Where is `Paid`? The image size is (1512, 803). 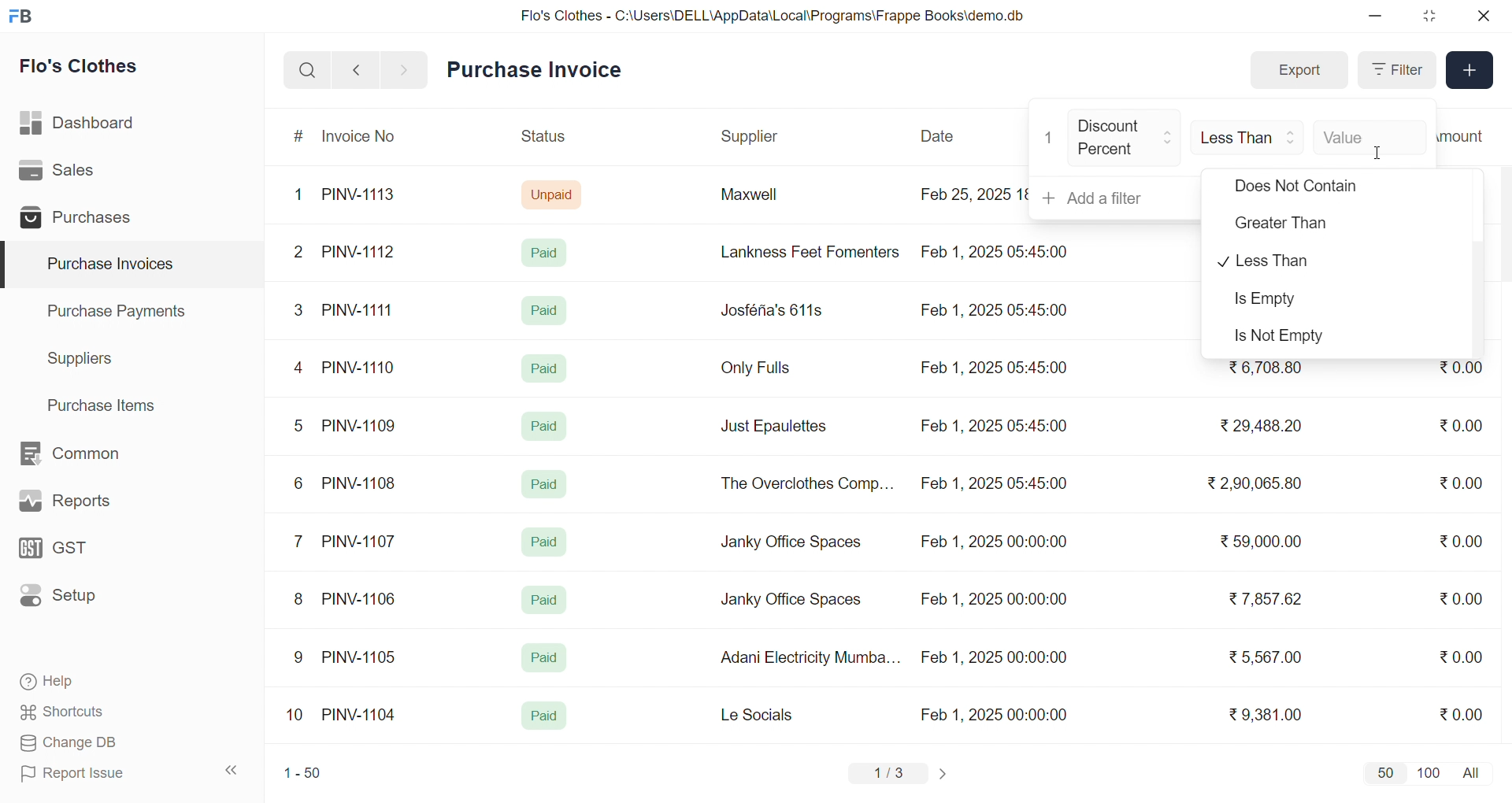 Paid is located at coordinates (545, 542).